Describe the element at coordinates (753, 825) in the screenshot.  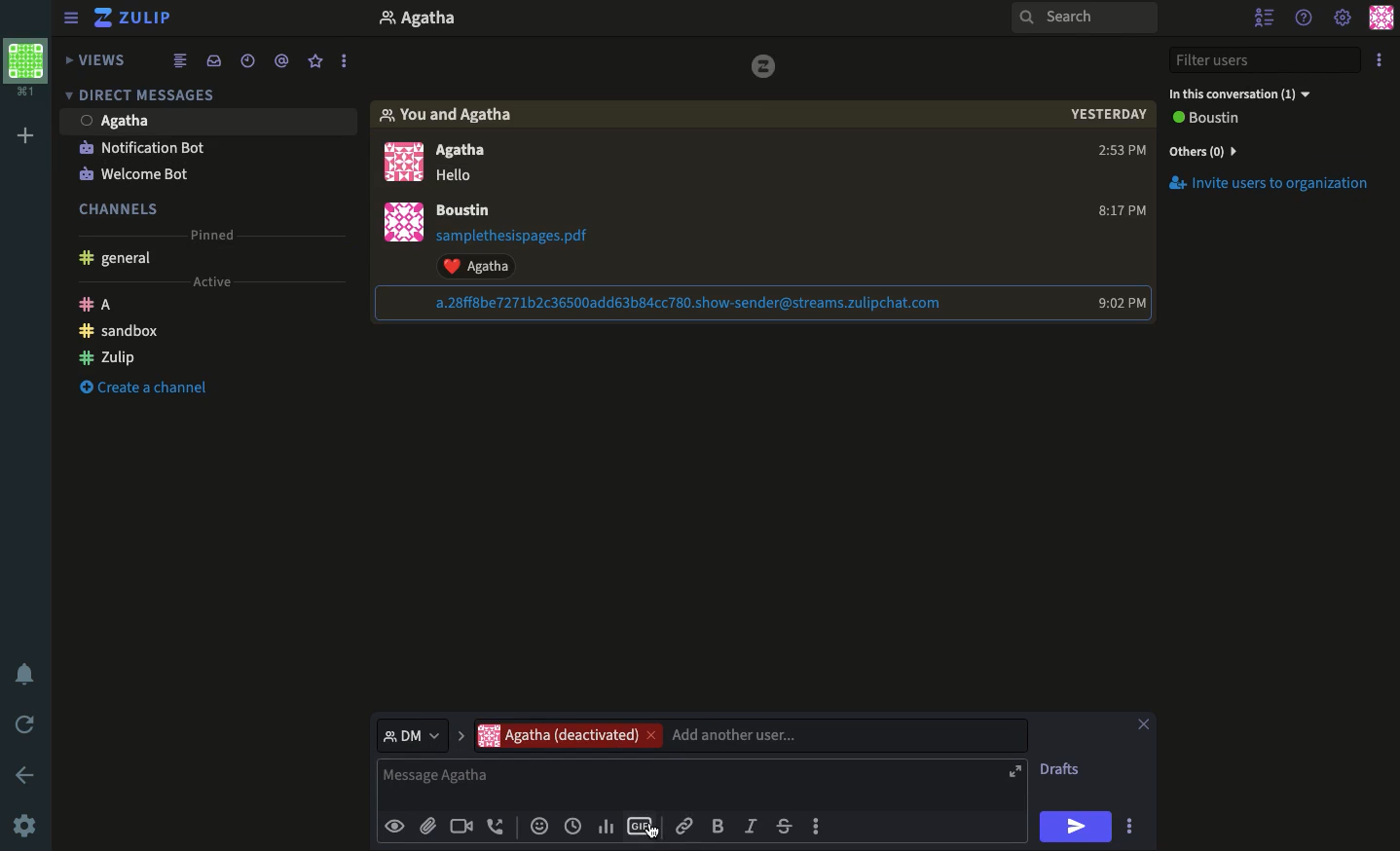
I see `Italics` at that location.